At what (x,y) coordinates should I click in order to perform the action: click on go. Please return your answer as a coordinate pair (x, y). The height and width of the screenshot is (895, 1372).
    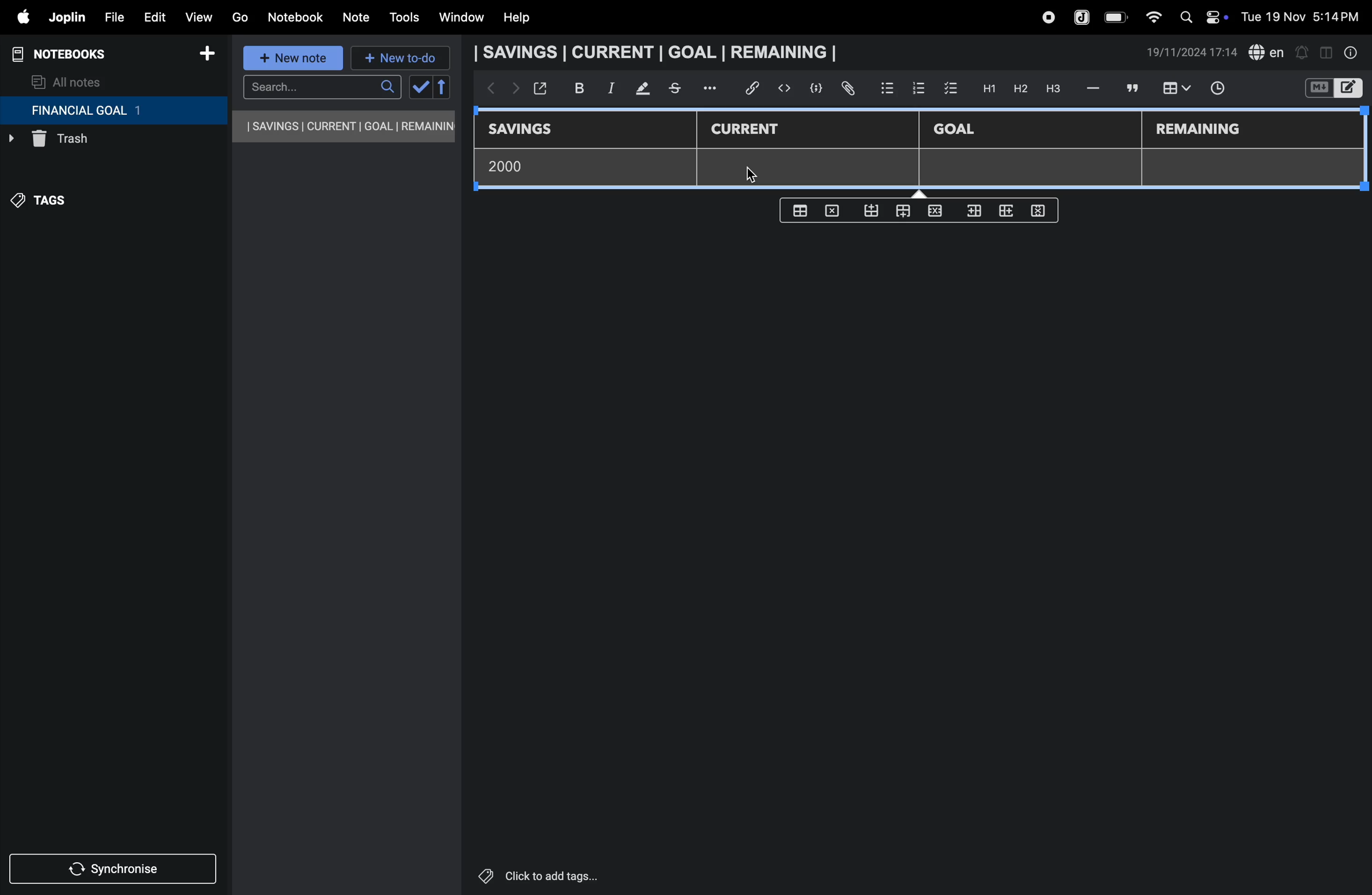
    Looking at the image, I should click on (240, 16).